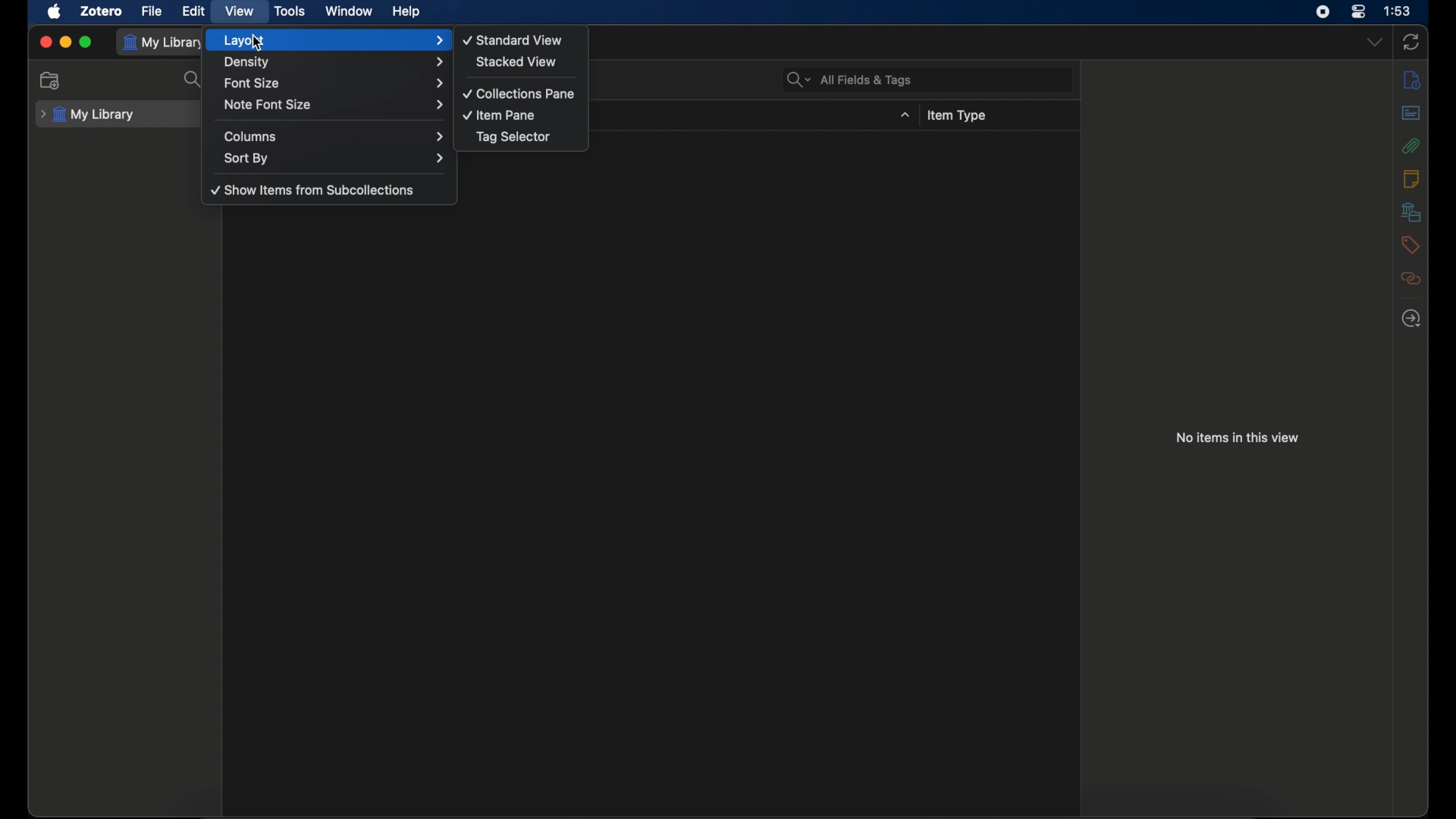 The width and height of the screenshot is (1456, 819). What do you see at coordinates (1410, 146) in the screenshot?
I see `attachments` at bounding box center [1410, 146].